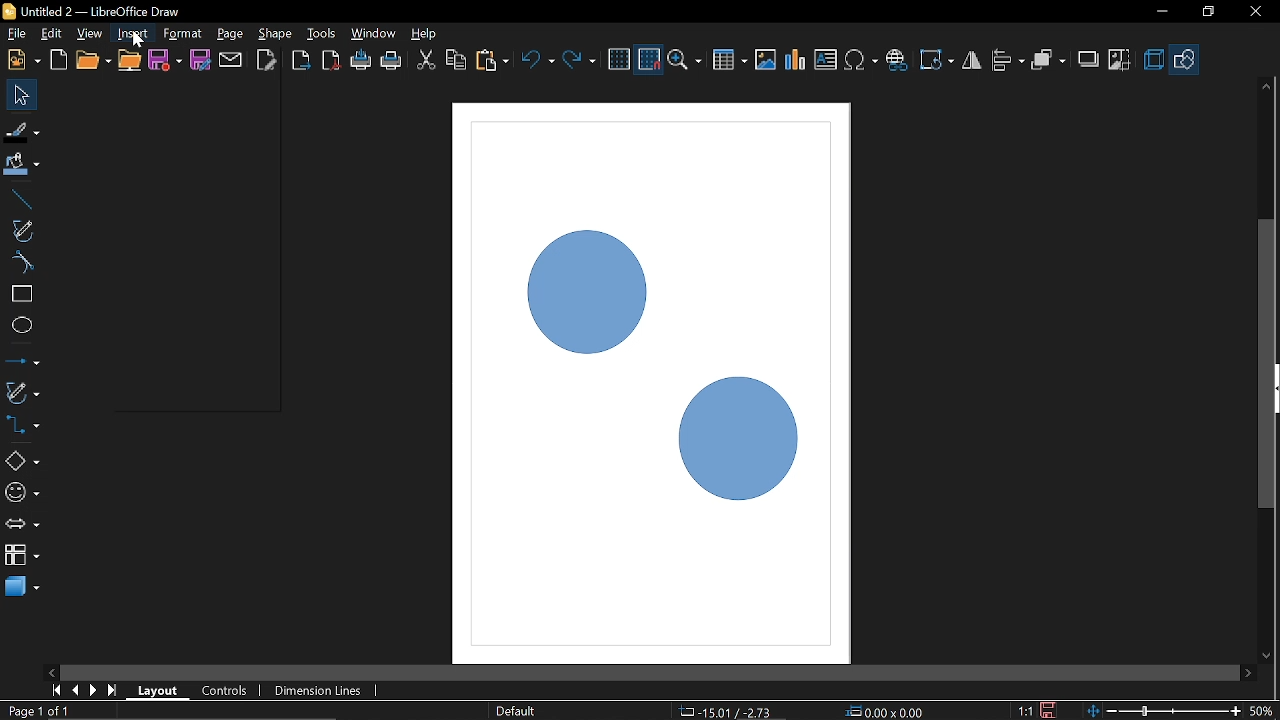 The width and height of the screenshot is (1280, 720). What do you see at coordinates (21, 392) in the screenshot?
I see `Curves and polygons` at bounding box center [21, 392].